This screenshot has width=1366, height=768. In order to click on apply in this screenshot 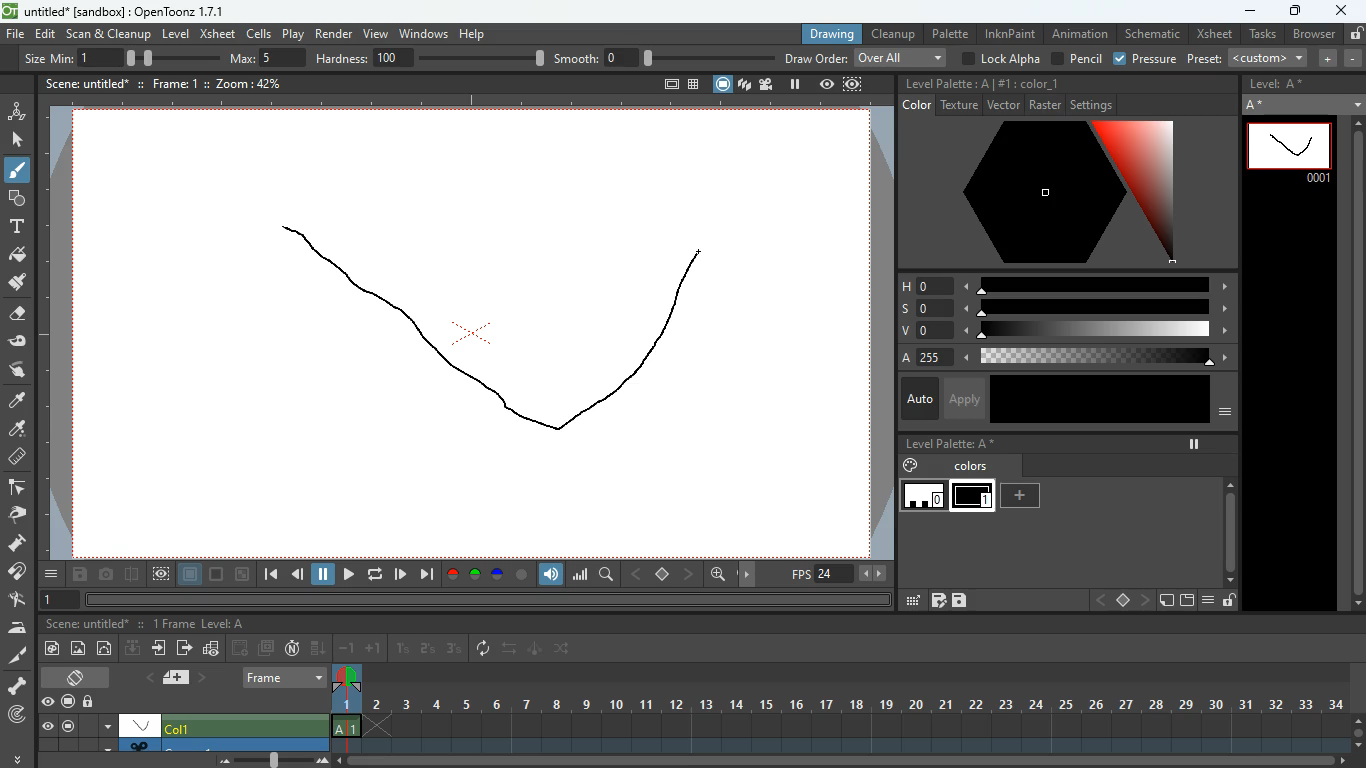, I will do `click(963, 398)`.